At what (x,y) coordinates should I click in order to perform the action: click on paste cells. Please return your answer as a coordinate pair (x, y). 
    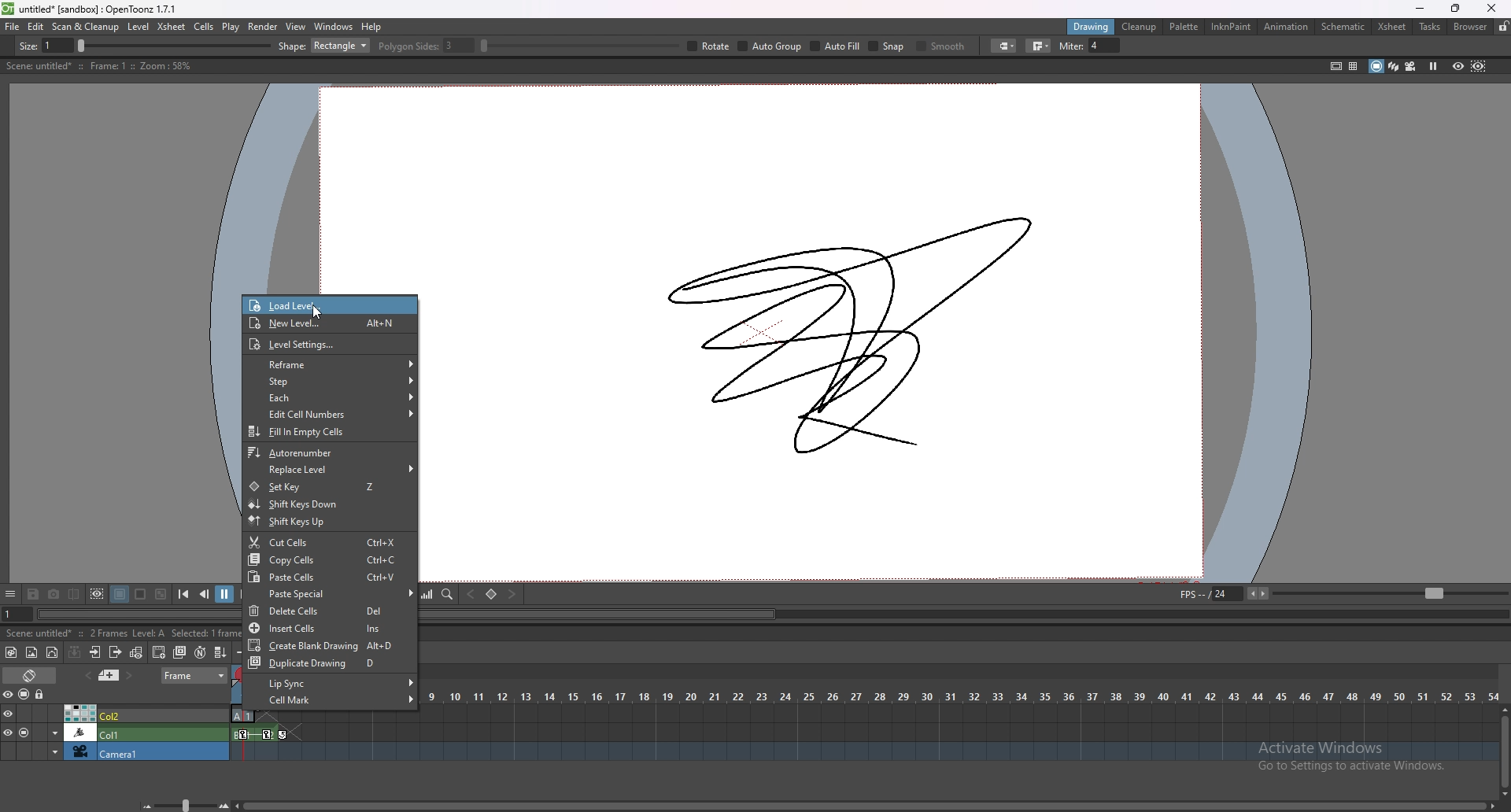
    Looking at the image, I should click on (331, 577).